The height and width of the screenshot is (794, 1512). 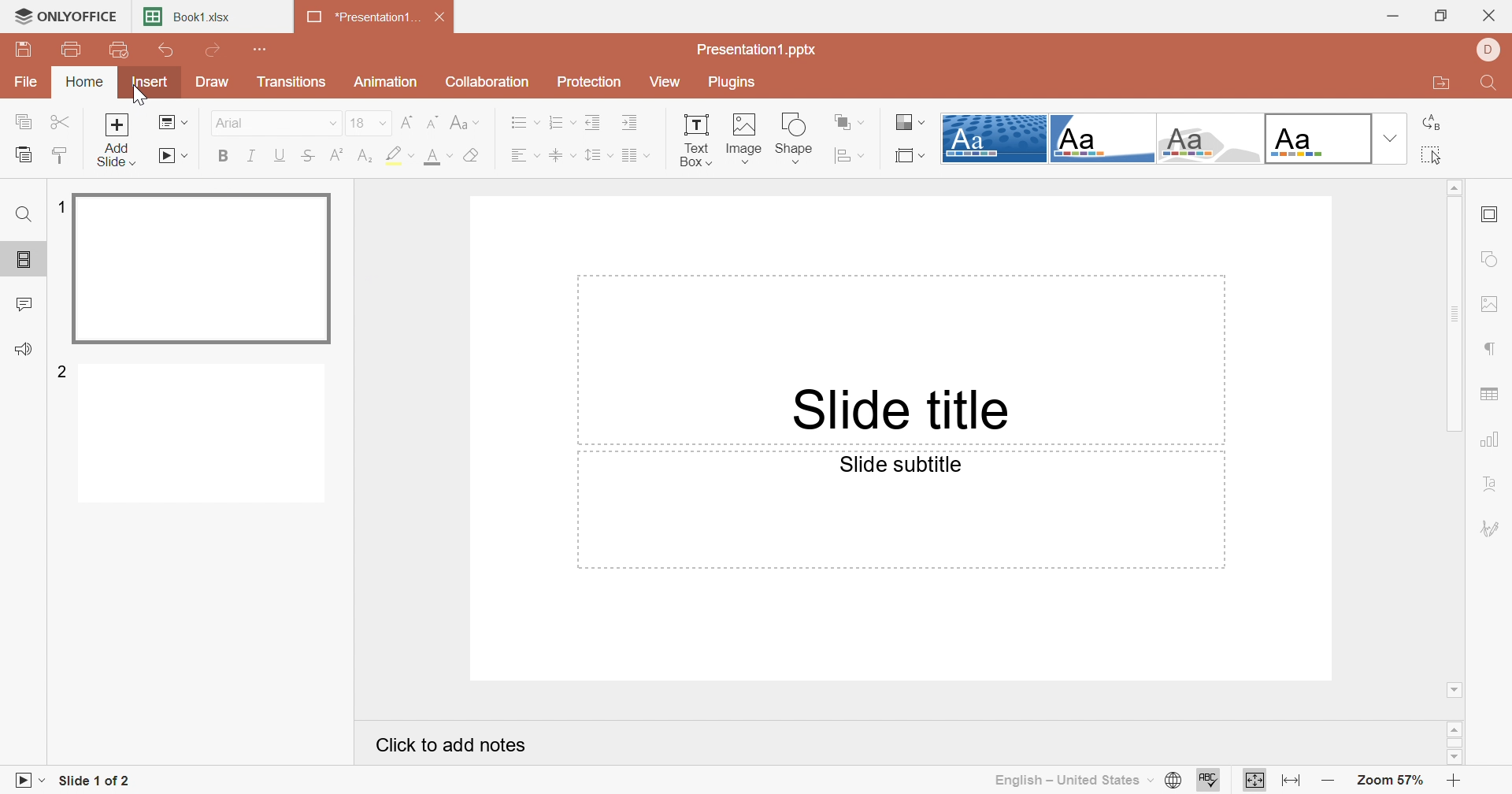 What do you see at coordinates (1492, 50) in the screenshot?
I see `DELL` at bounding box center [1492, 50].